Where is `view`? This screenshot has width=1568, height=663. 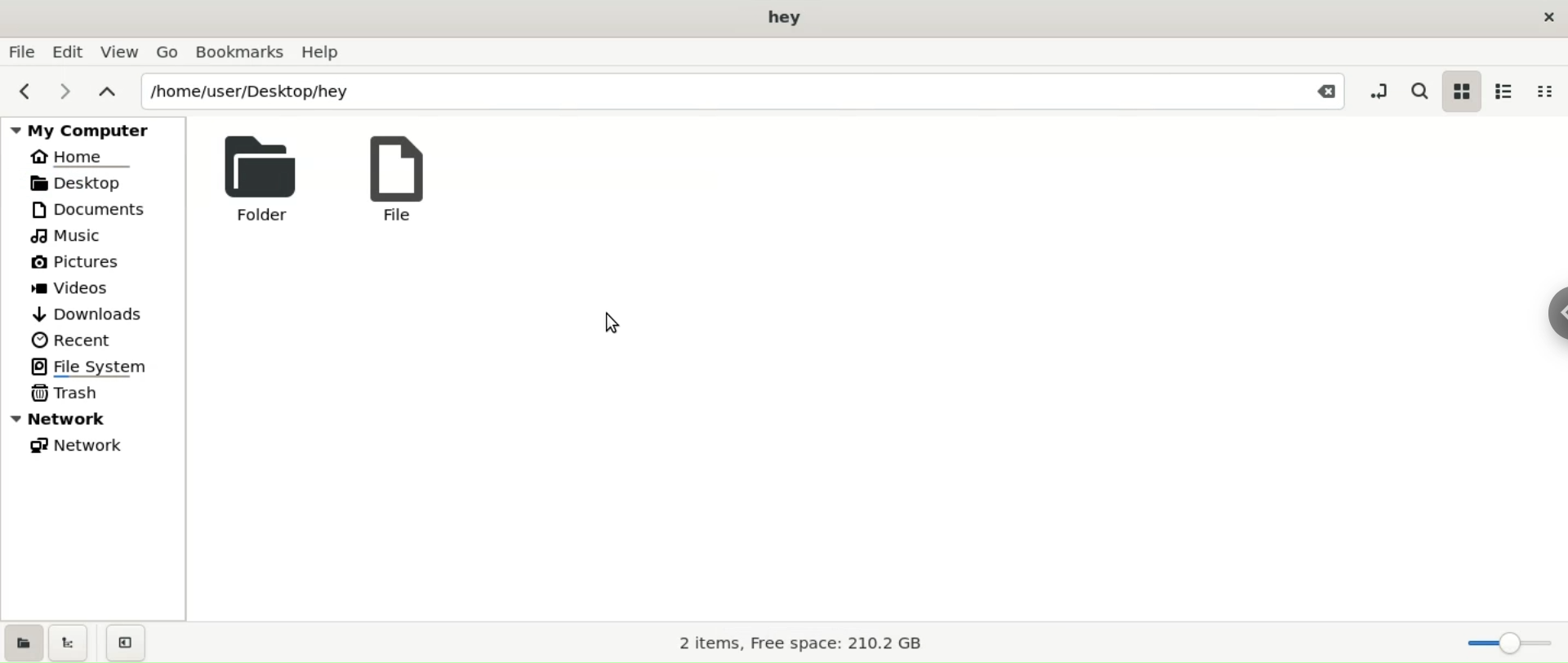
view is located at coordinates (122, 52).